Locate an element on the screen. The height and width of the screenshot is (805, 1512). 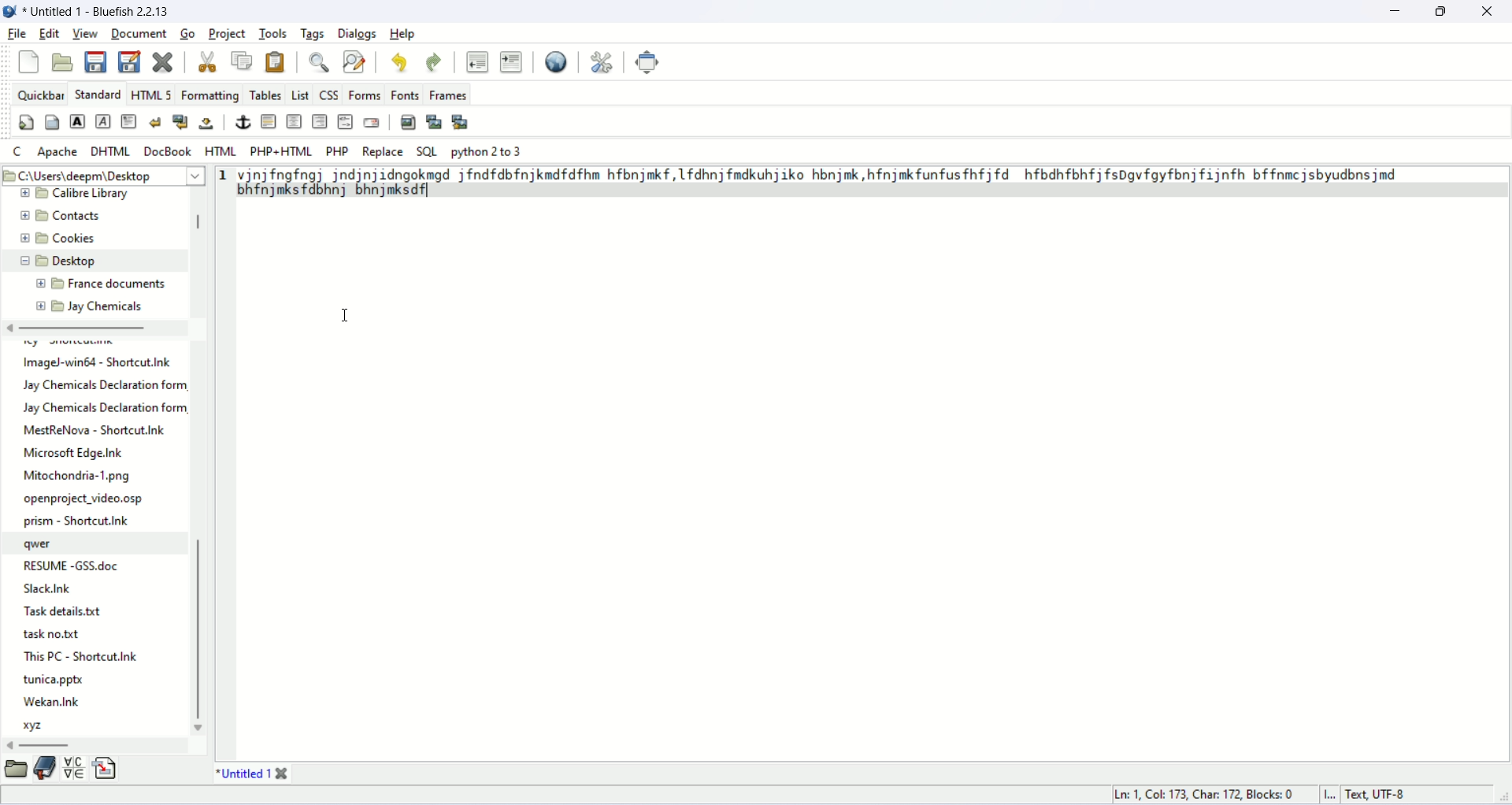
pyhton 2 to 3 is located at coordinates (488, 152).